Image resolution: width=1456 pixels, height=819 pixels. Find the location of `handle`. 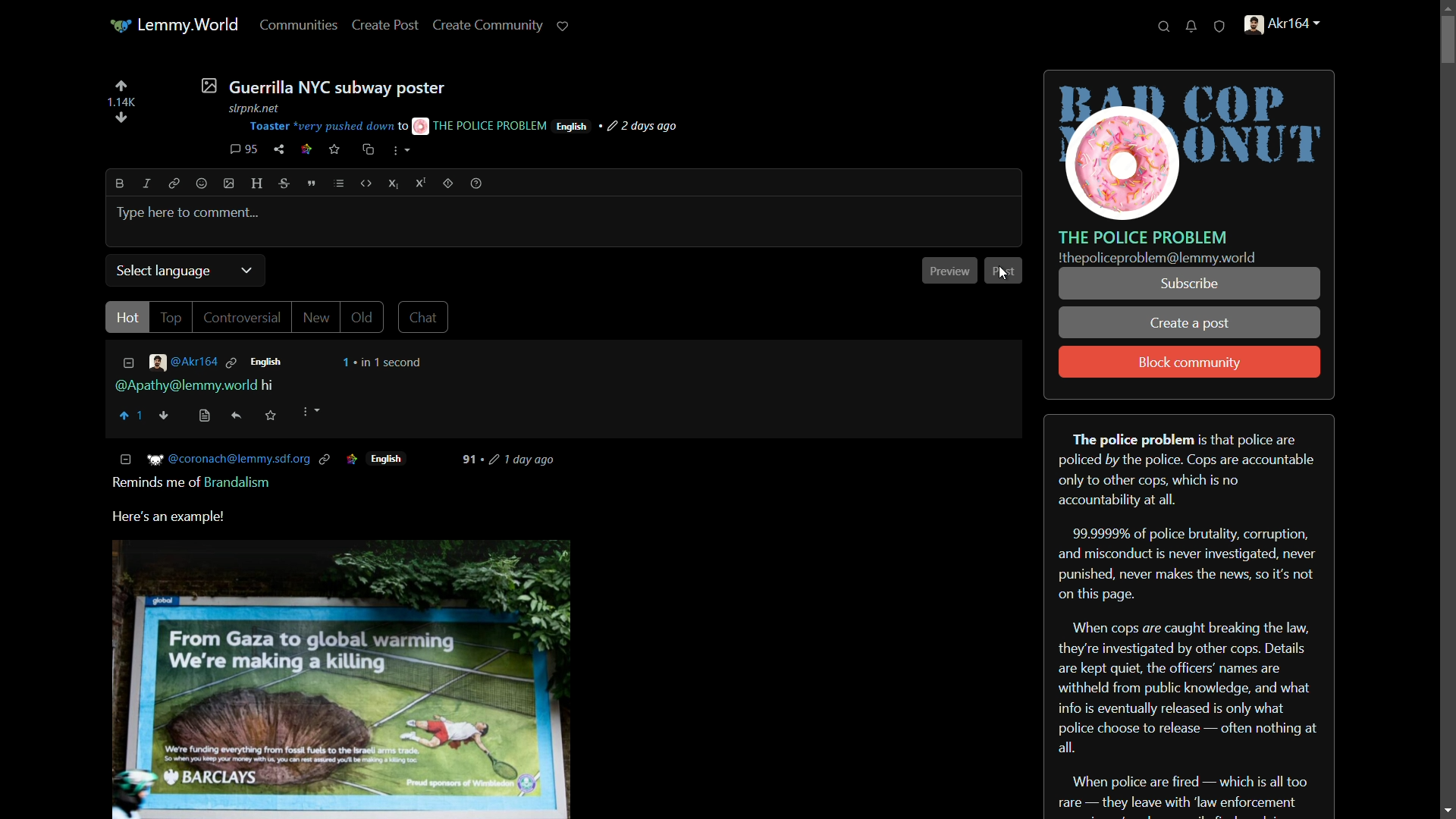

handle is located at coordinates (1291, 27).